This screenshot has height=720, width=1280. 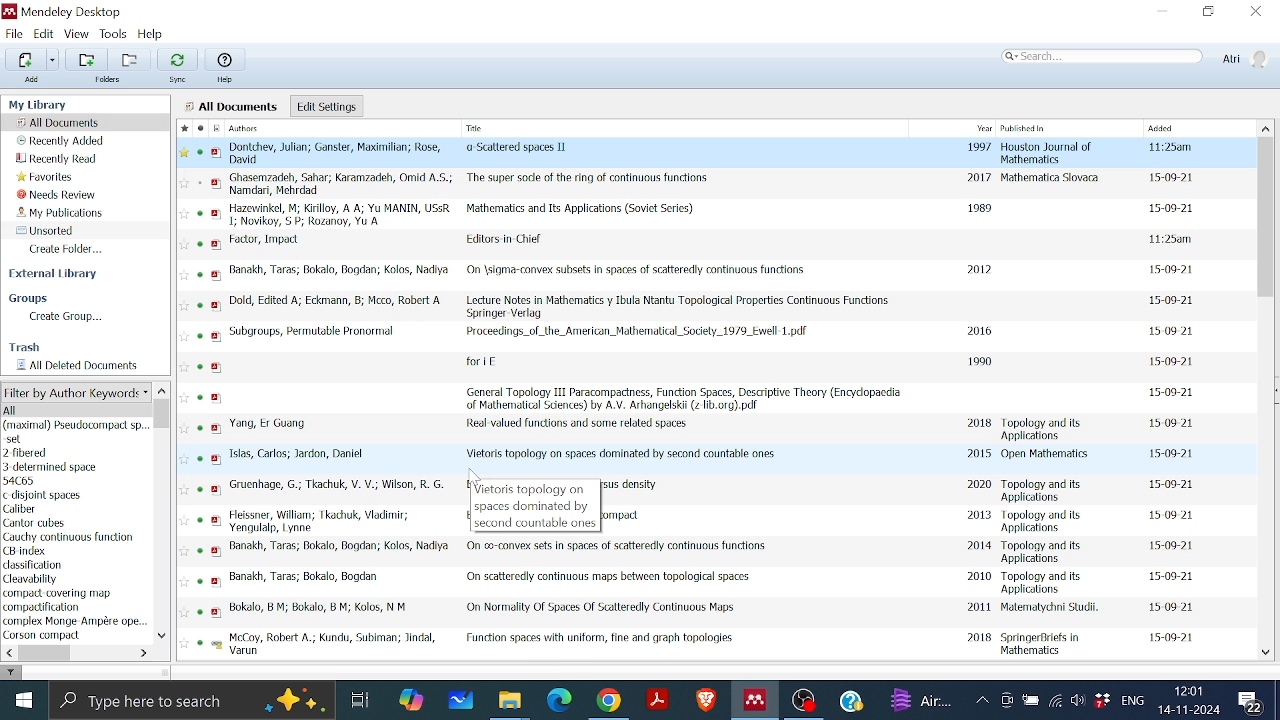 I want to click on Help, so click(x=227, y=80).